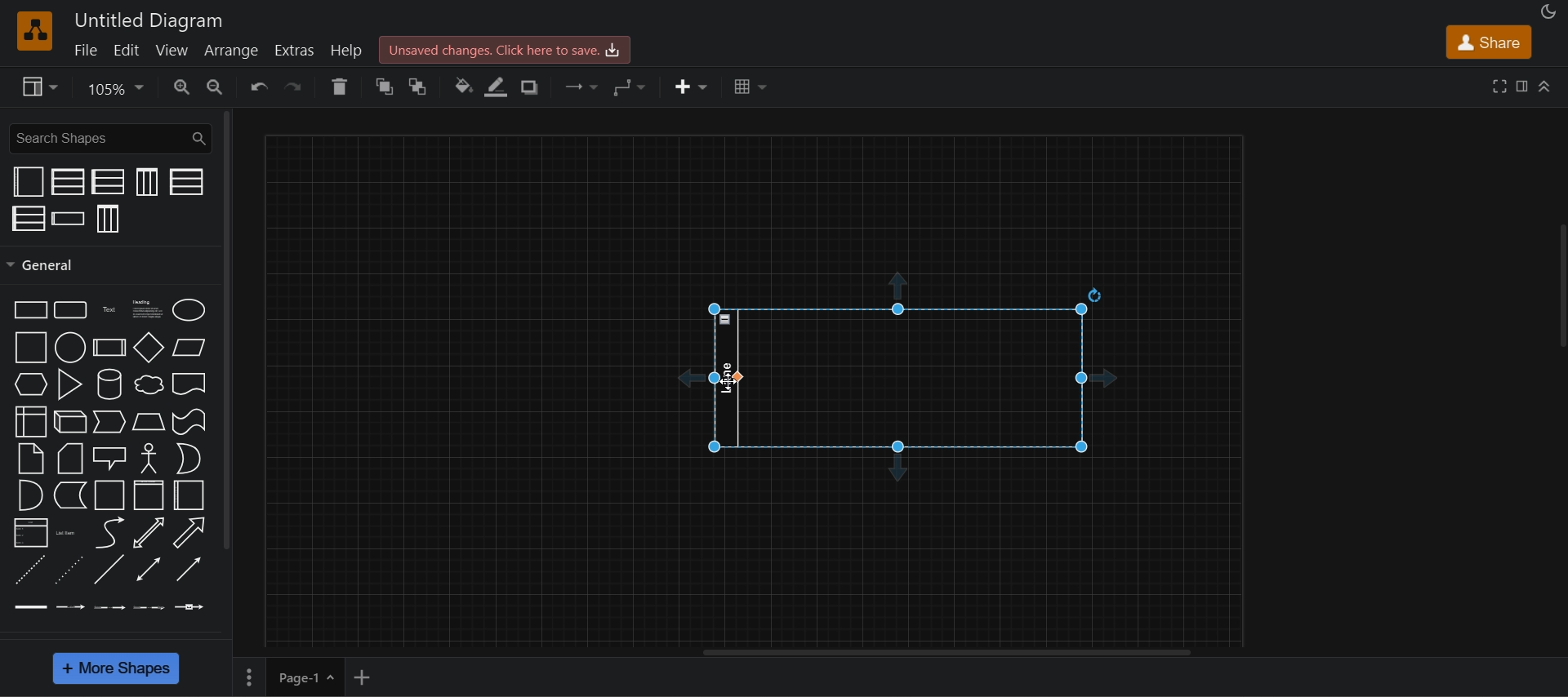 Image resolution: width=1568 pixels, height=697 pixels. What do you see at coordinates (149, 347) in the screenshot?
I see `diamond` at bounding box center [149, 347].